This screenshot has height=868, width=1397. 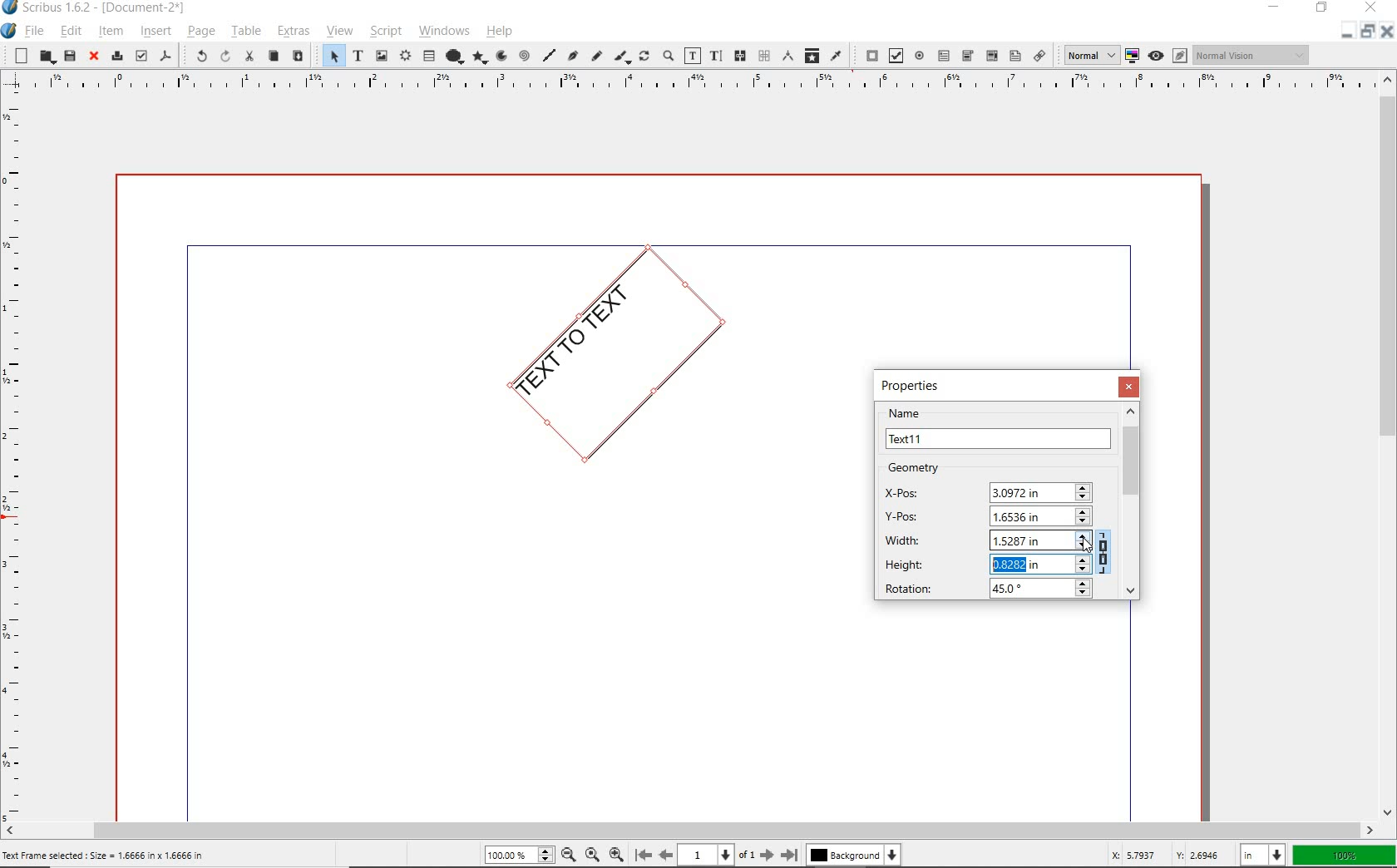 What do you see at coordinates (1087, 569) in the screenshot?
I see `CURSOR` at bounding box center [1087, 569].